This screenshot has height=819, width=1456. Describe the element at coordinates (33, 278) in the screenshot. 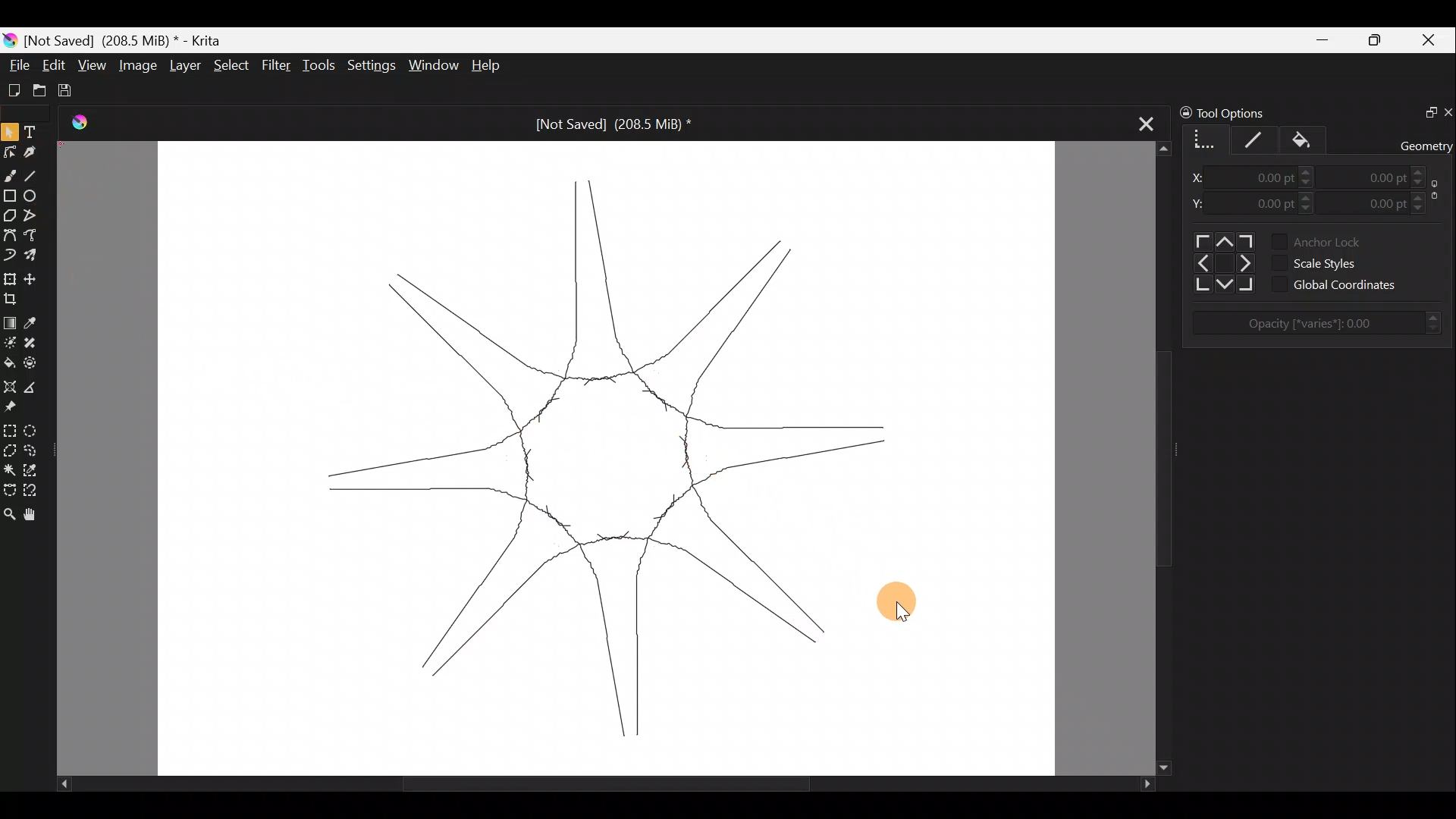

I see `Move a layer` at that location.